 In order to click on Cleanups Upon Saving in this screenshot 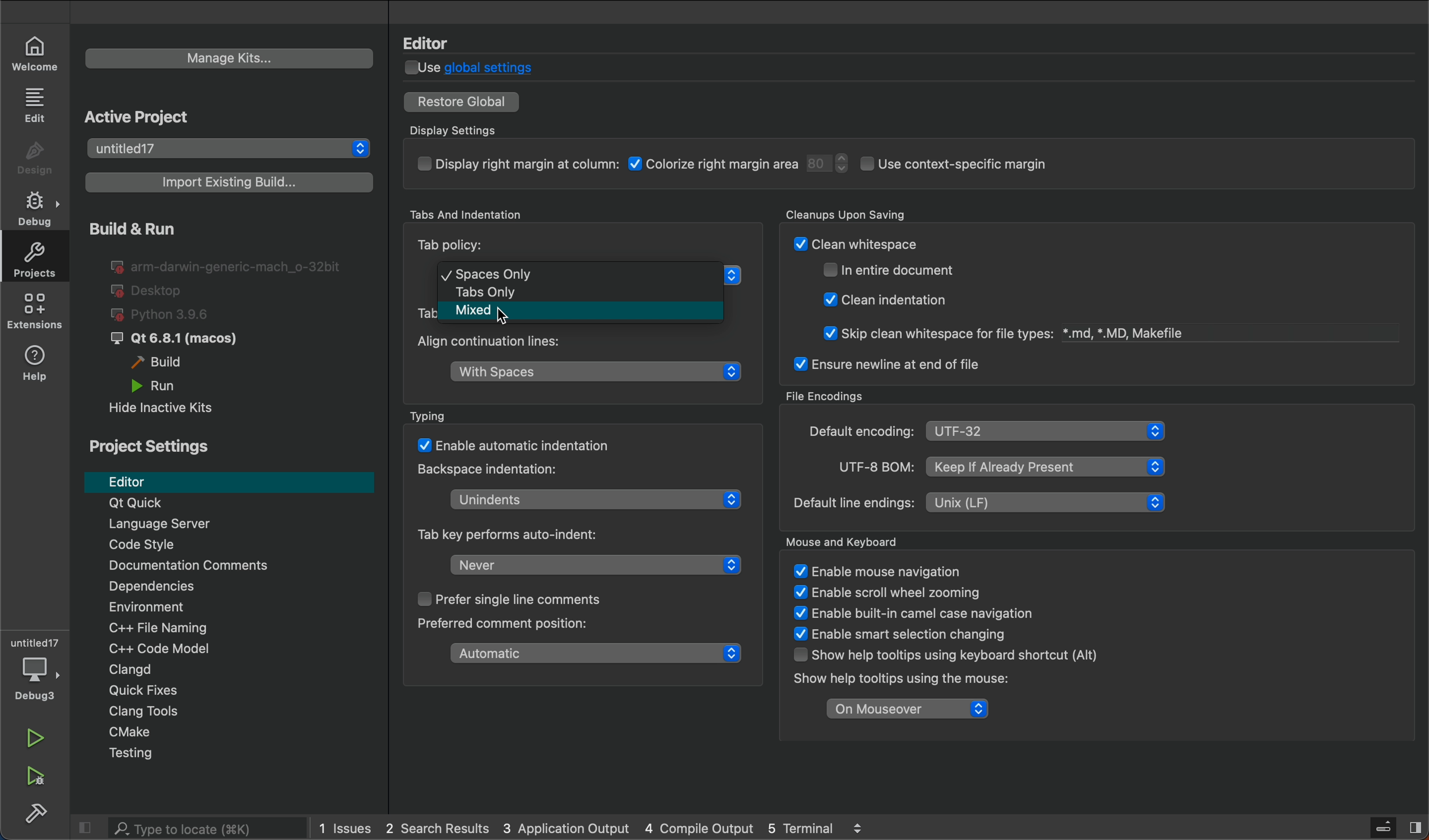, I will do `click(876, 214)`.